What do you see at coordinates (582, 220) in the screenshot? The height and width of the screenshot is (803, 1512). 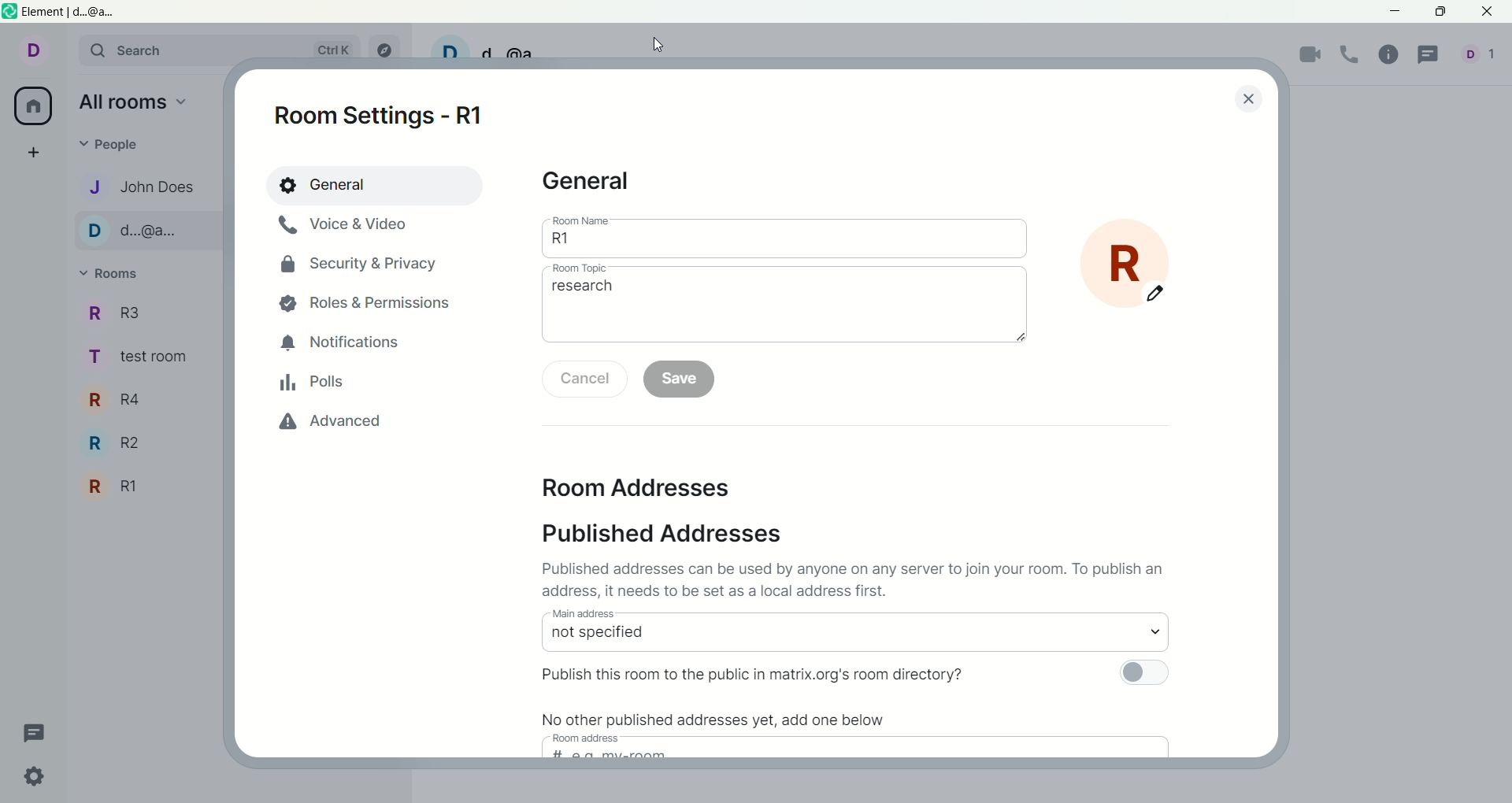 I see `room name` at bounding box center [582, 220].